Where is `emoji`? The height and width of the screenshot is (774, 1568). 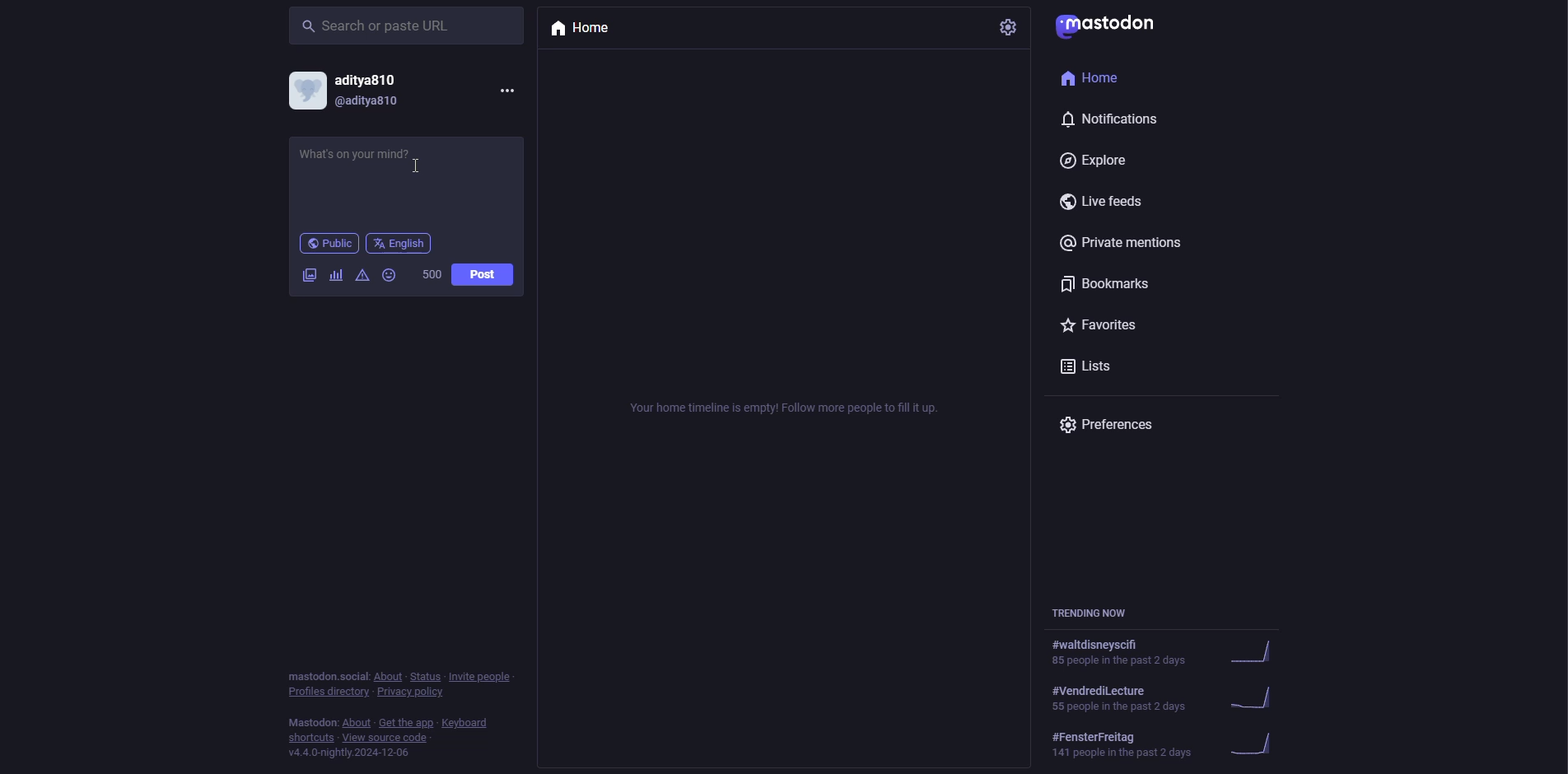
emoji is located at coordinates (390, 275).